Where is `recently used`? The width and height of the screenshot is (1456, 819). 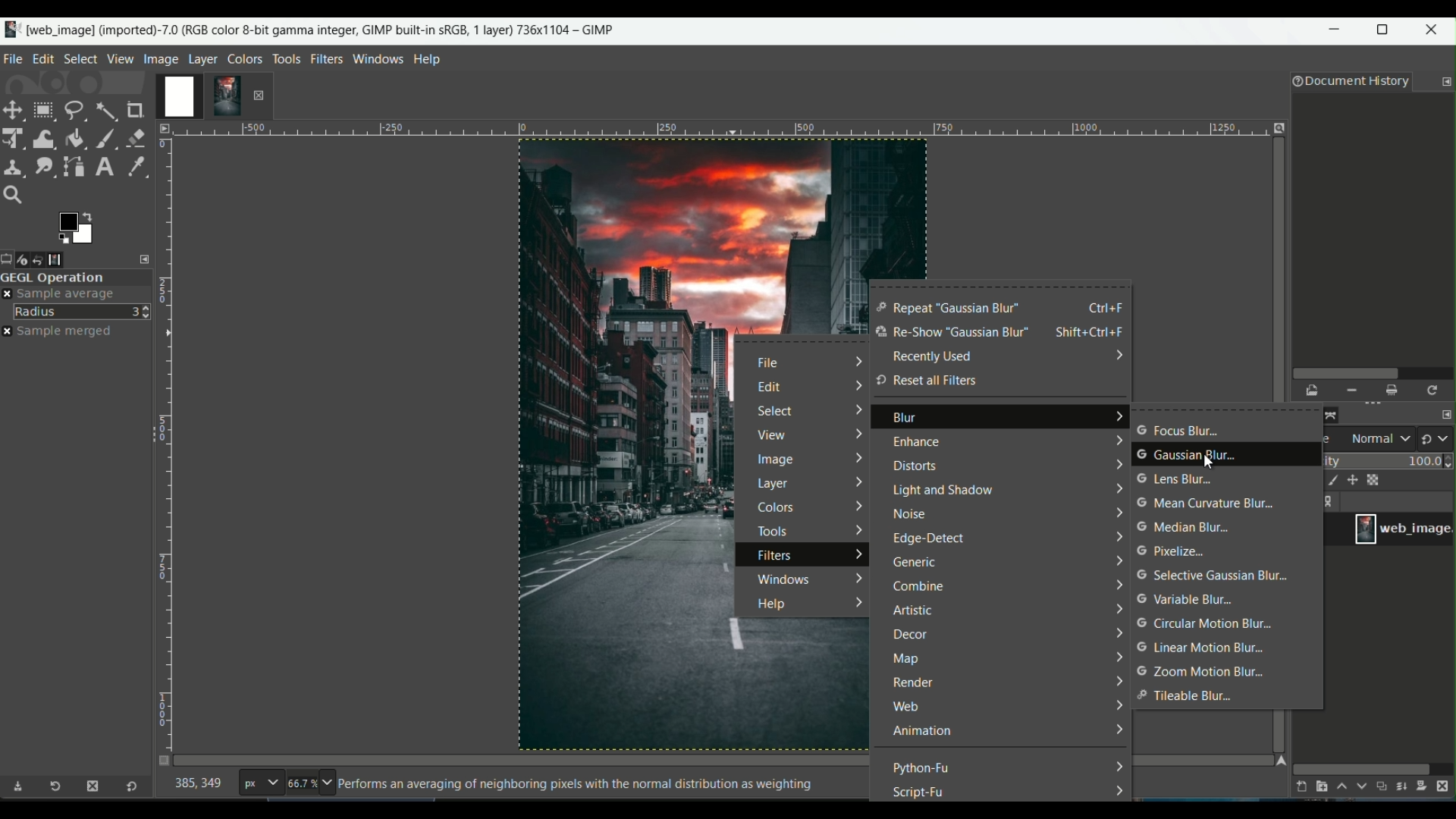
recently used is located at coordinates (932, 356).